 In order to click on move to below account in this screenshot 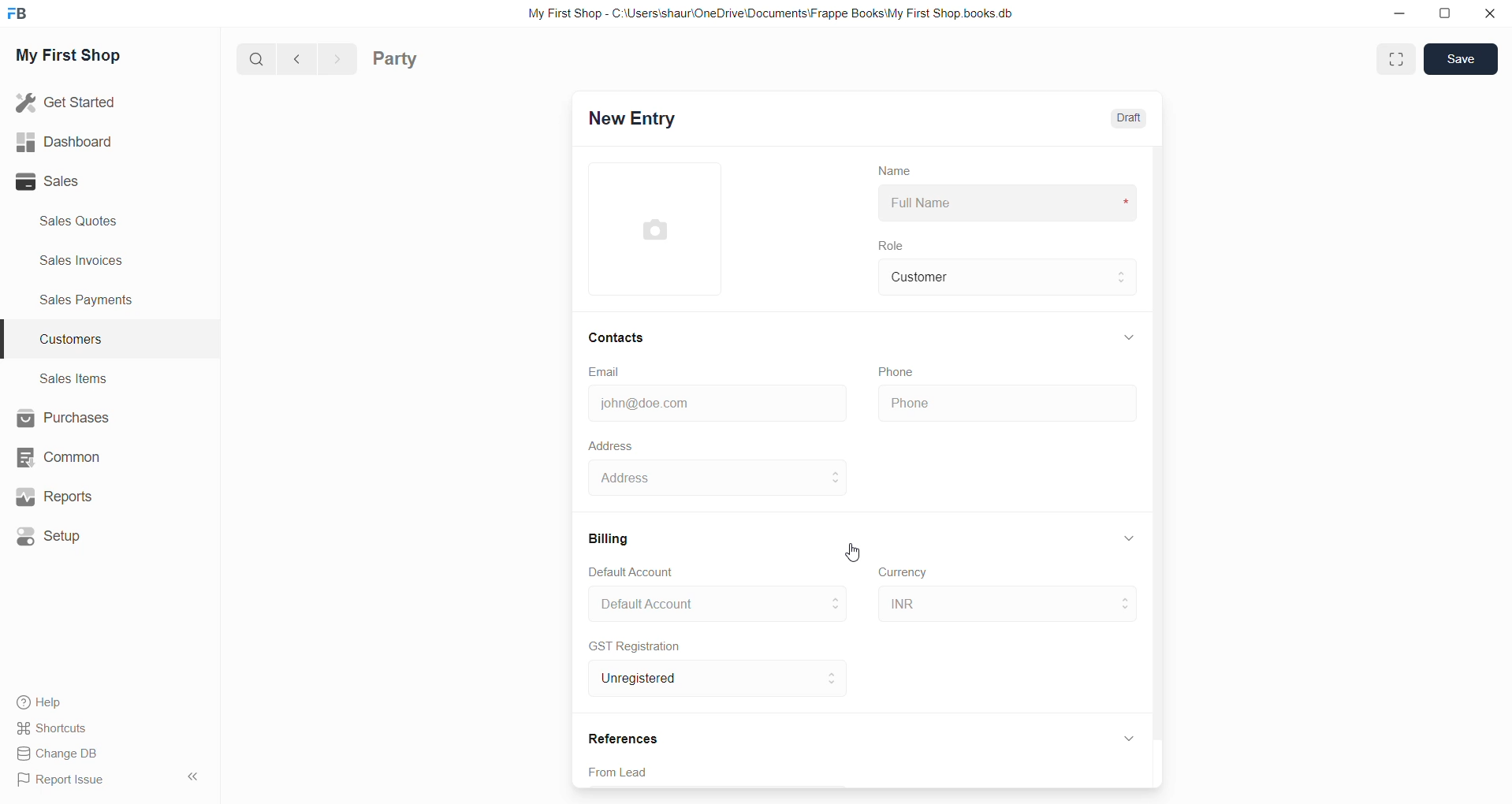, I will do `click(835, 609)`.